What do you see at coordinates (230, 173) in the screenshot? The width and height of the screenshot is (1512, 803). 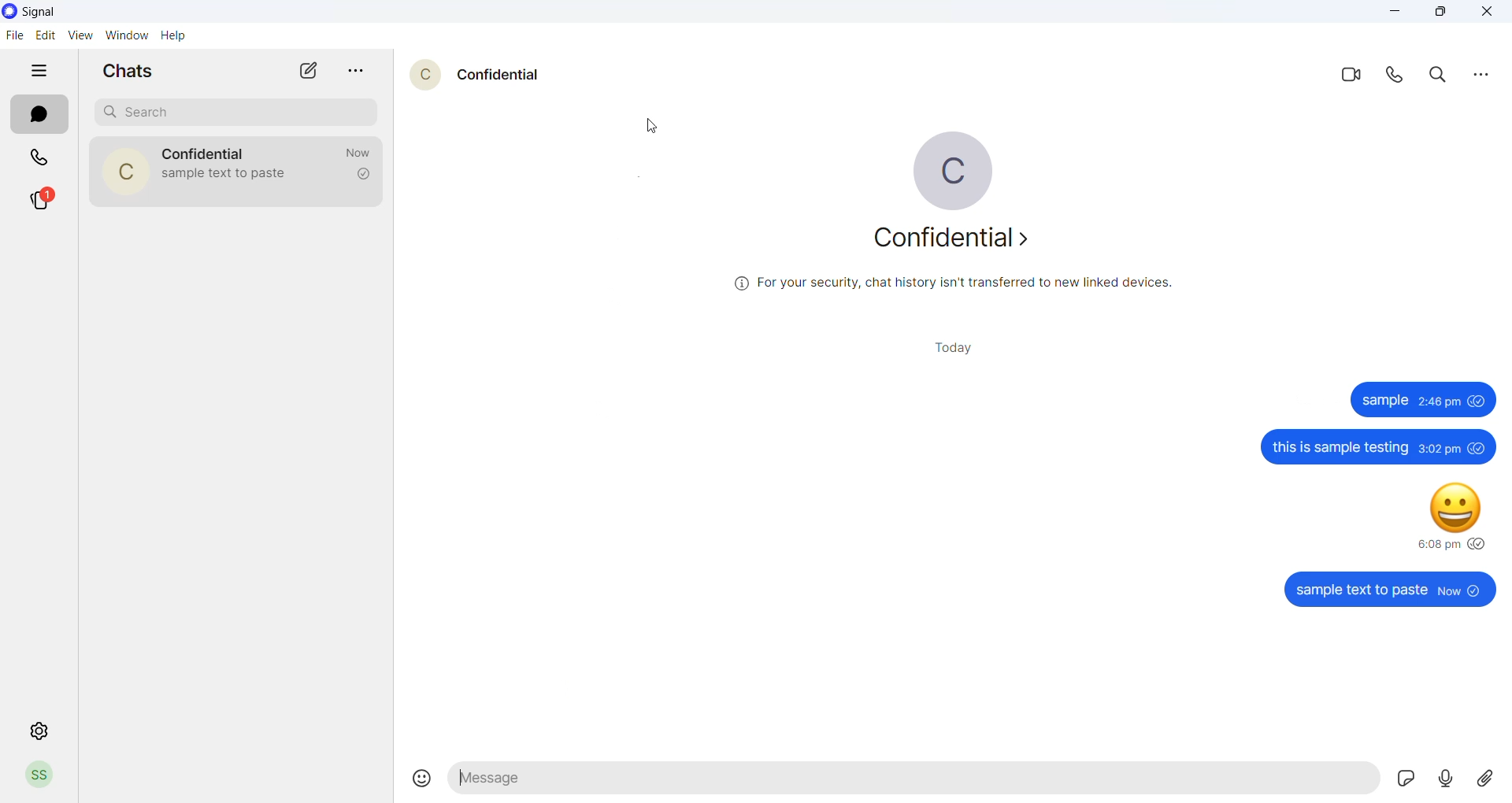 I see `last message` at bounding box center [230, 173].